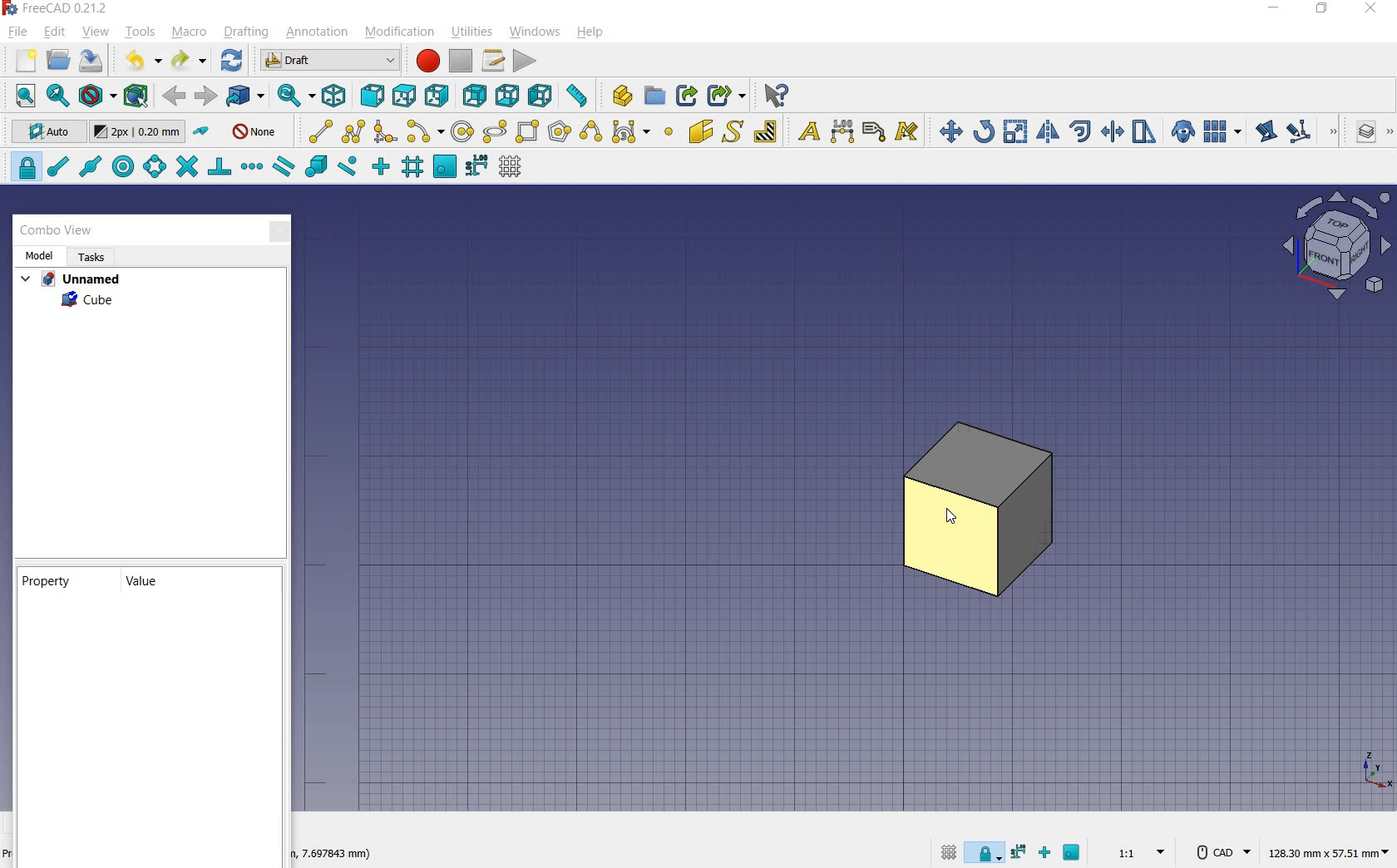 This screenshot has width=1397, height=868. I want to click on snap lock, so click(22, 167).